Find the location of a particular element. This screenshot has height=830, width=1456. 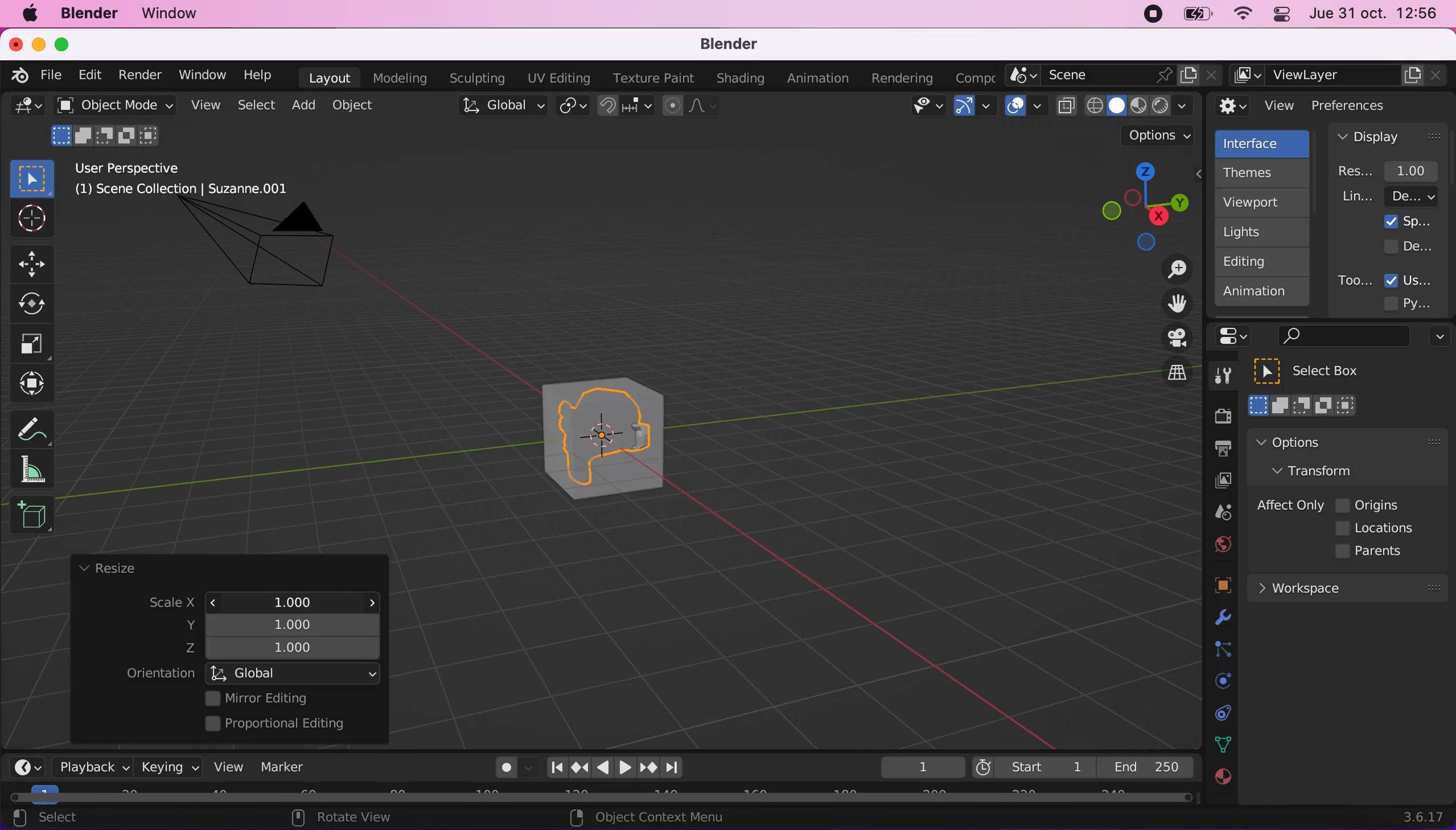

interface is located at coordinates (1264, 142).